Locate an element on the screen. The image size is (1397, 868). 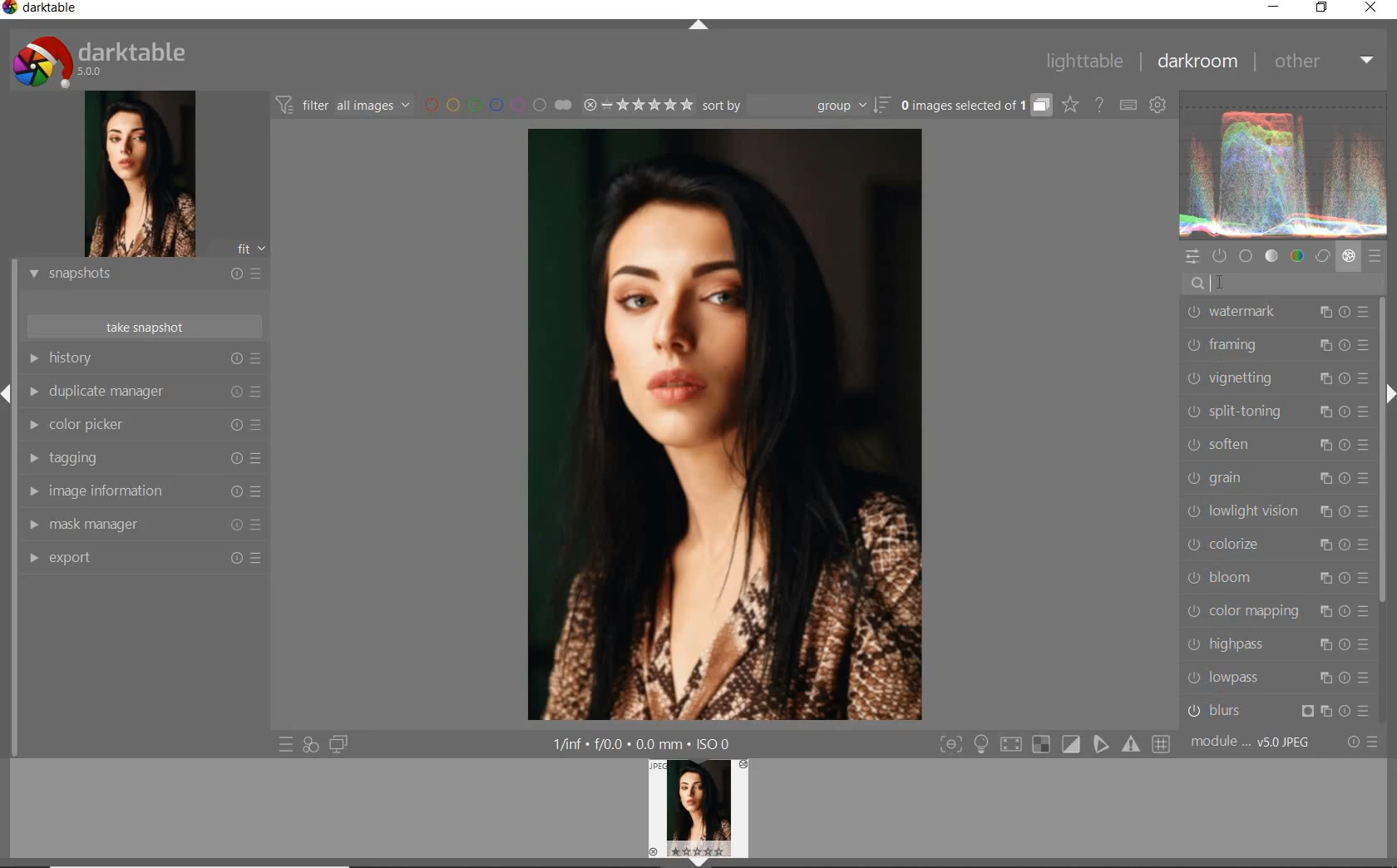
enable online help is located at coordinates (1099, 106).